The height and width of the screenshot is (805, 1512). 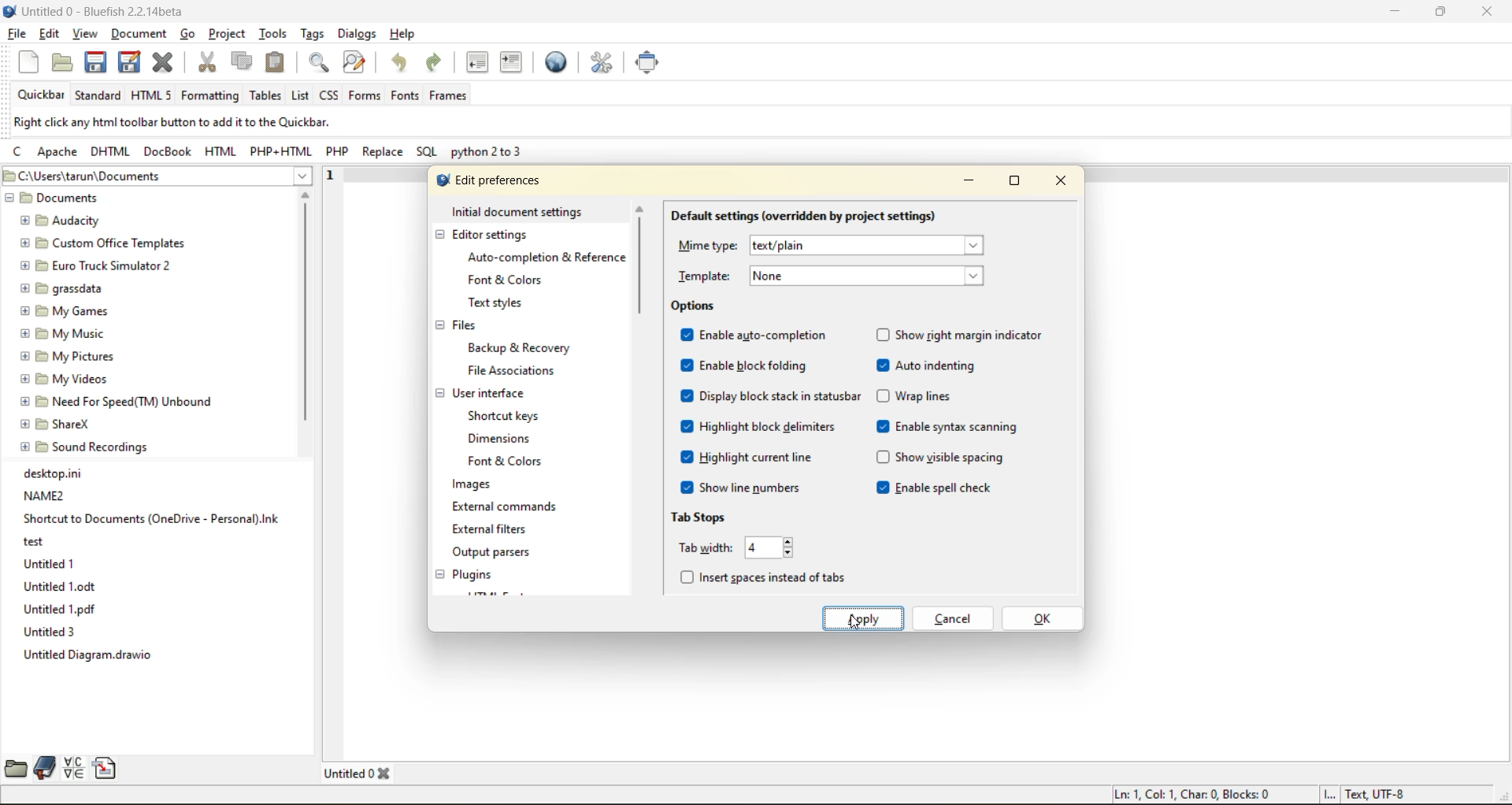 I want to click on shortcut keys, so click(x=508, y=414).